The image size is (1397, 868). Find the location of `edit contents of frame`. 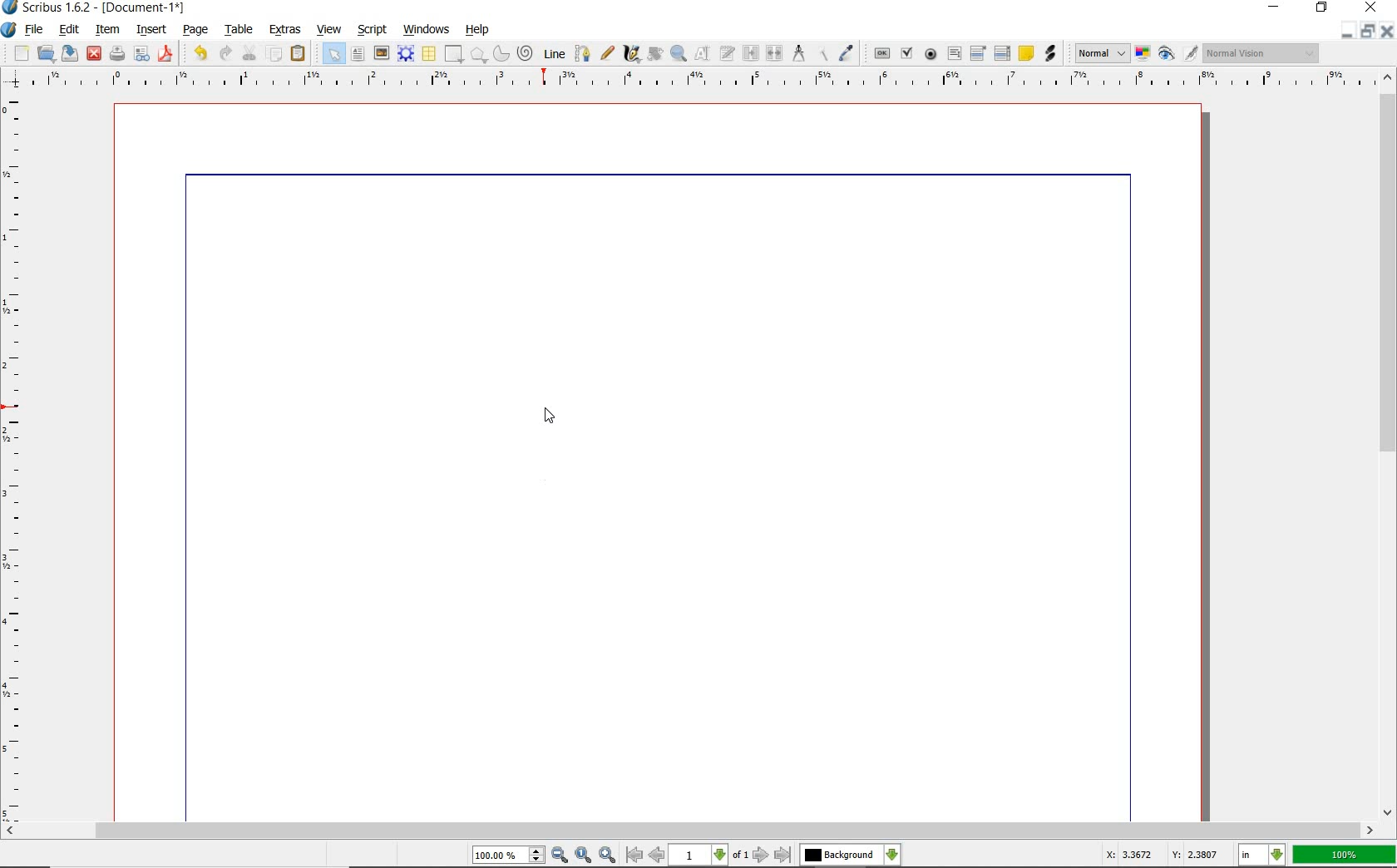

edit contents of frame is located at coordinates (654, 54).